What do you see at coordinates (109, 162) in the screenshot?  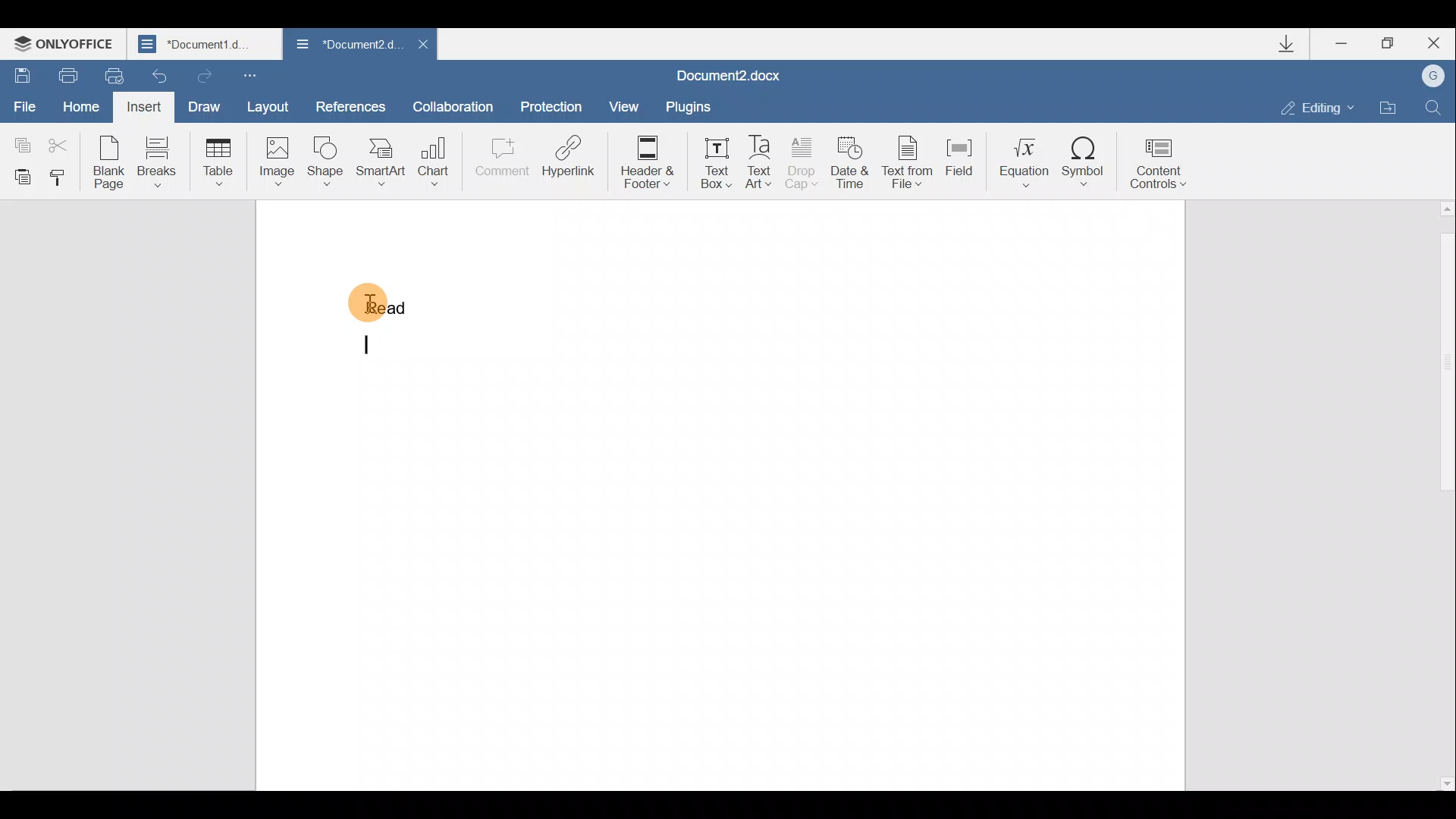 I see ` Blank page` at bounding box center [109, 162].